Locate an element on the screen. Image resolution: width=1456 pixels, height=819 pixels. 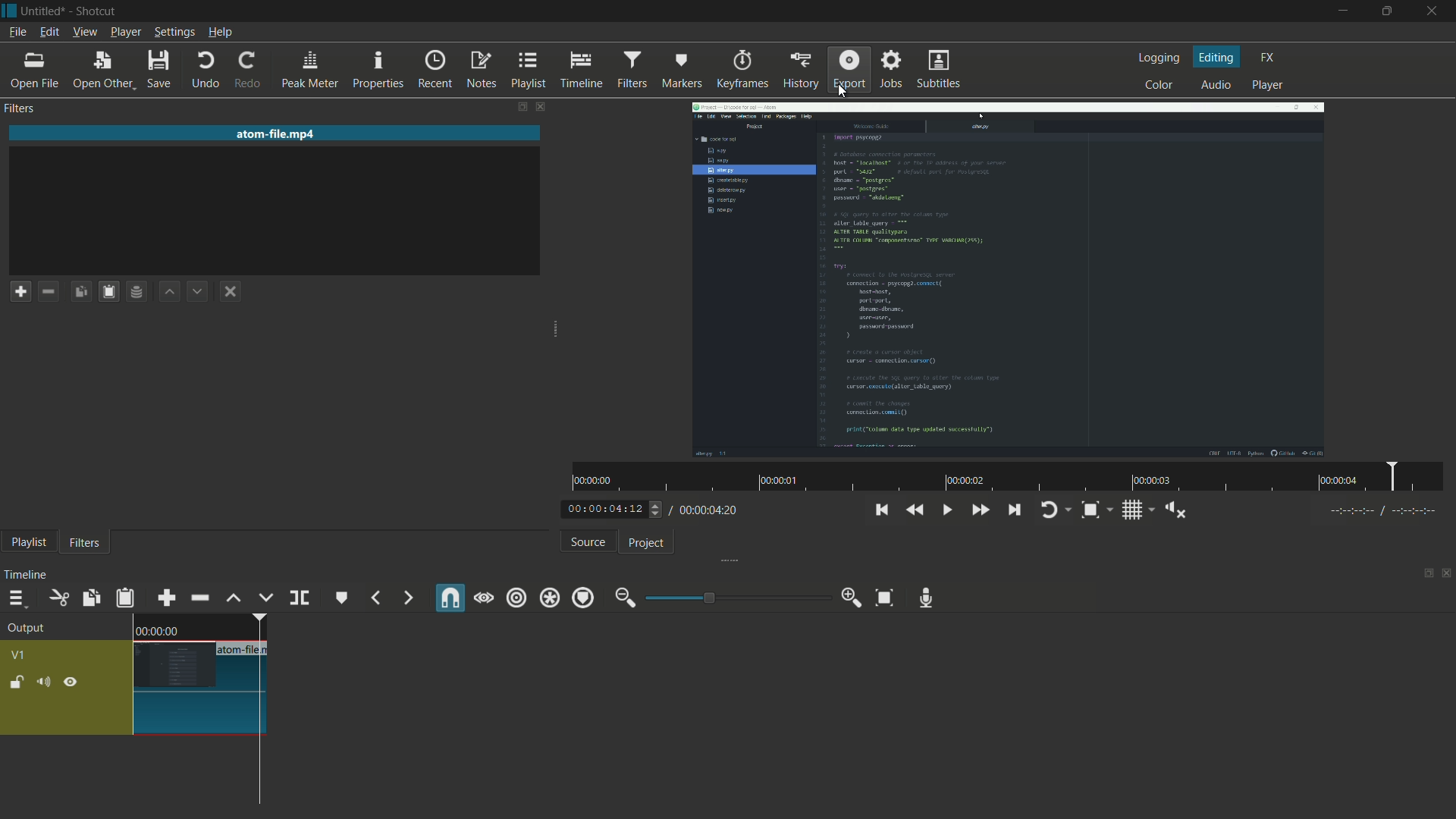
undo is located at coordinates (206, 70).